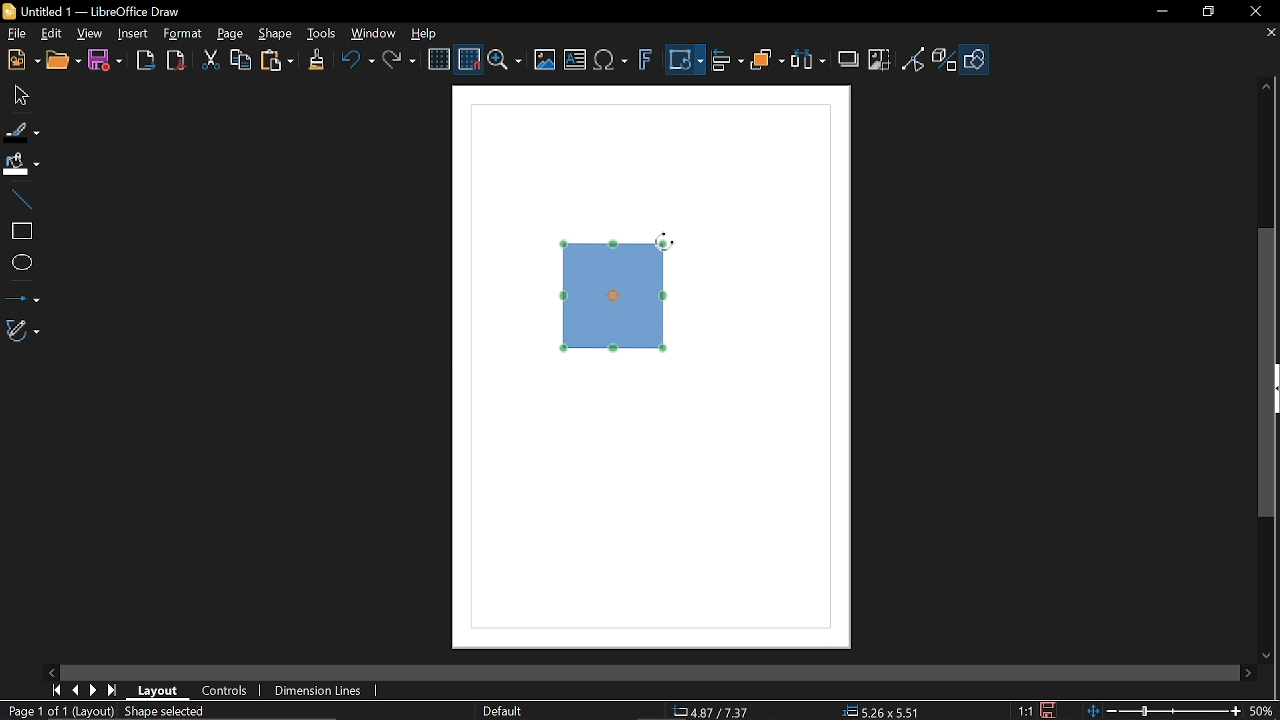 The width and height of the screenshot is (1280, 720). Describe the element at coordinates (19, 232) in the screenshot. I see `rectangle` at that location.